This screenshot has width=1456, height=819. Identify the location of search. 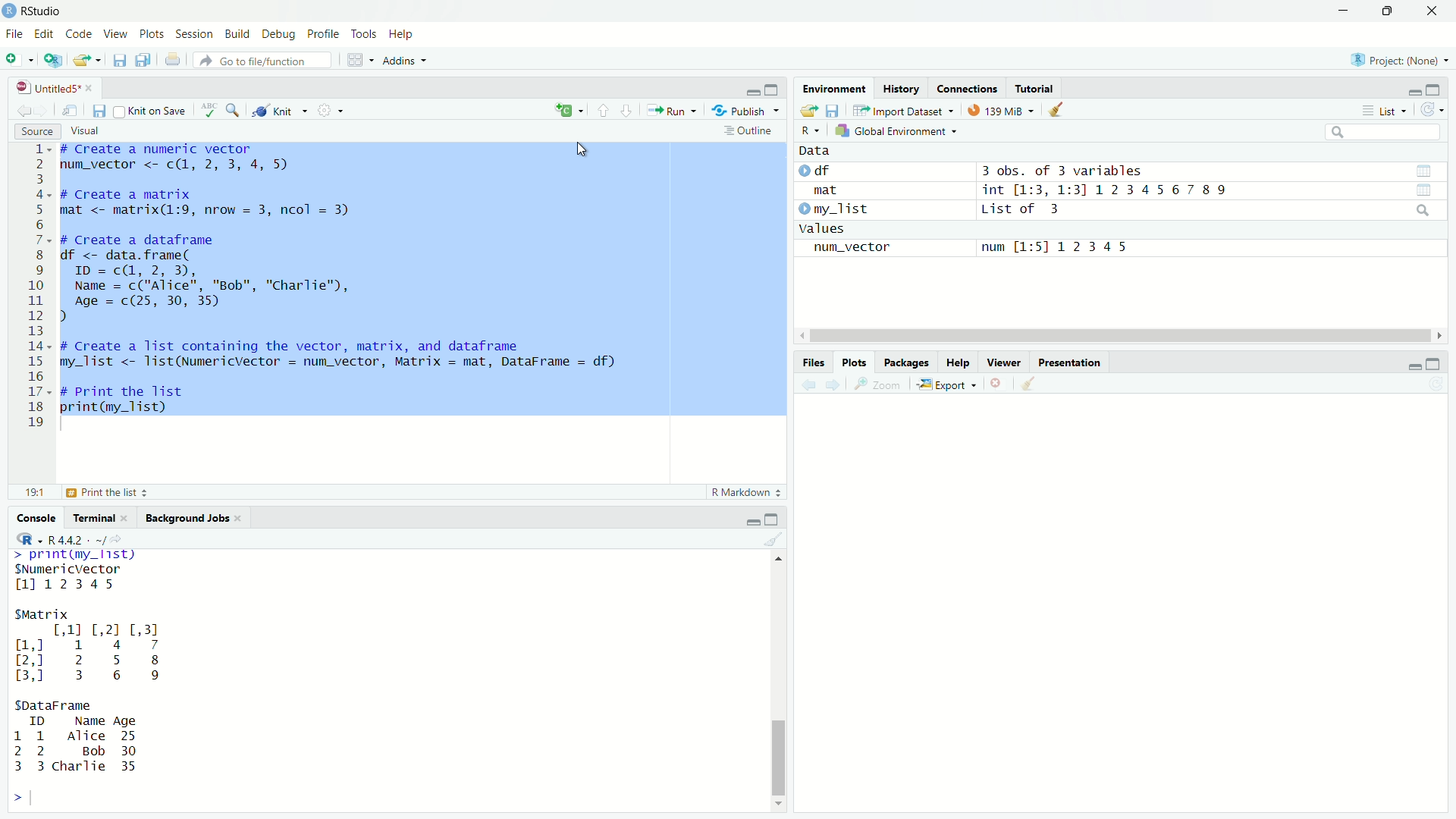
(1424, 212).